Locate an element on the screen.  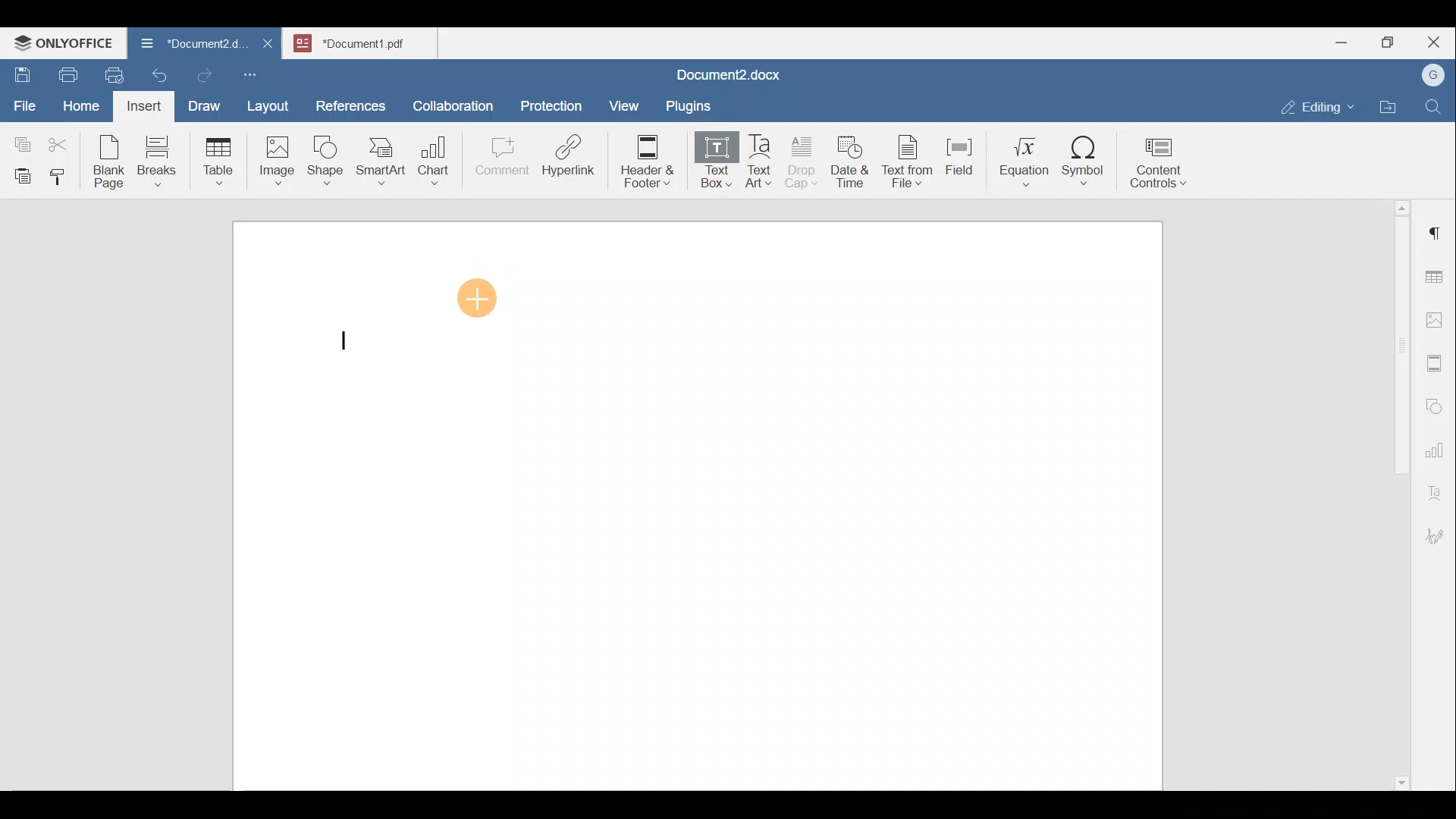
Plugins is located at coordinates (693, 104).